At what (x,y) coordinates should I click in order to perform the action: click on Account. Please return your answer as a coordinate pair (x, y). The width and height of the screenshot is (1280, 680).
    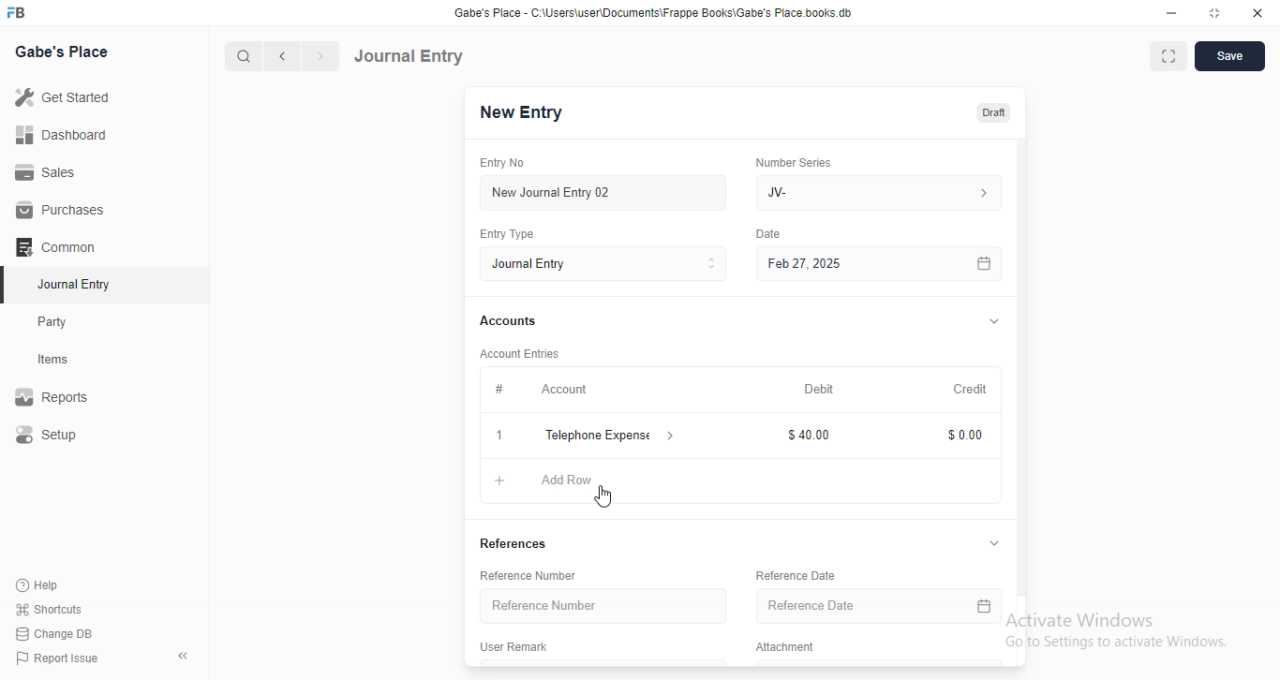
    Looking at the image, I should click on (565, 390).